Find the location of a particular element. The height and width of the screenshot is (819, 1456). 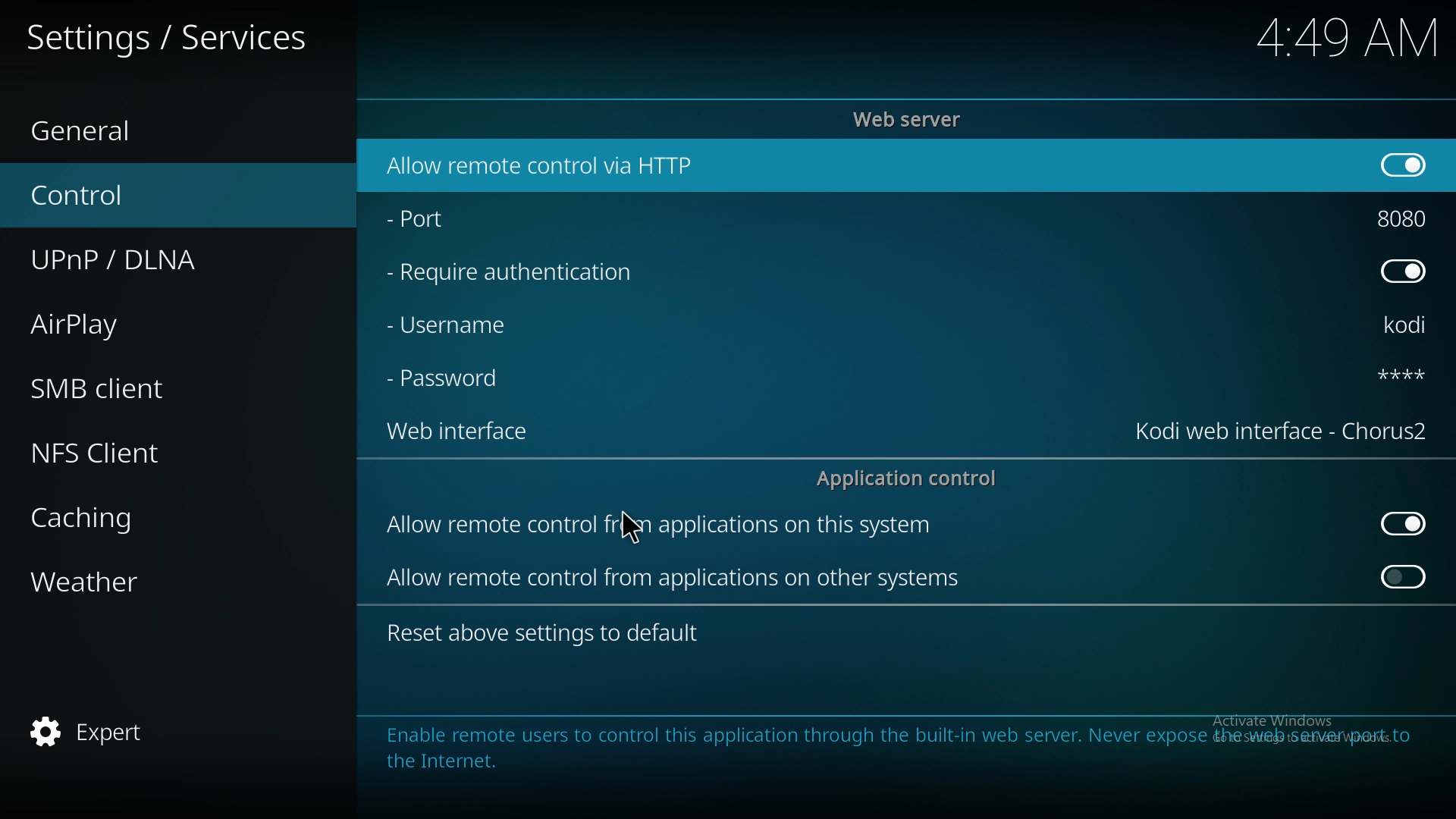

off is located at coordinates (1407, 271).